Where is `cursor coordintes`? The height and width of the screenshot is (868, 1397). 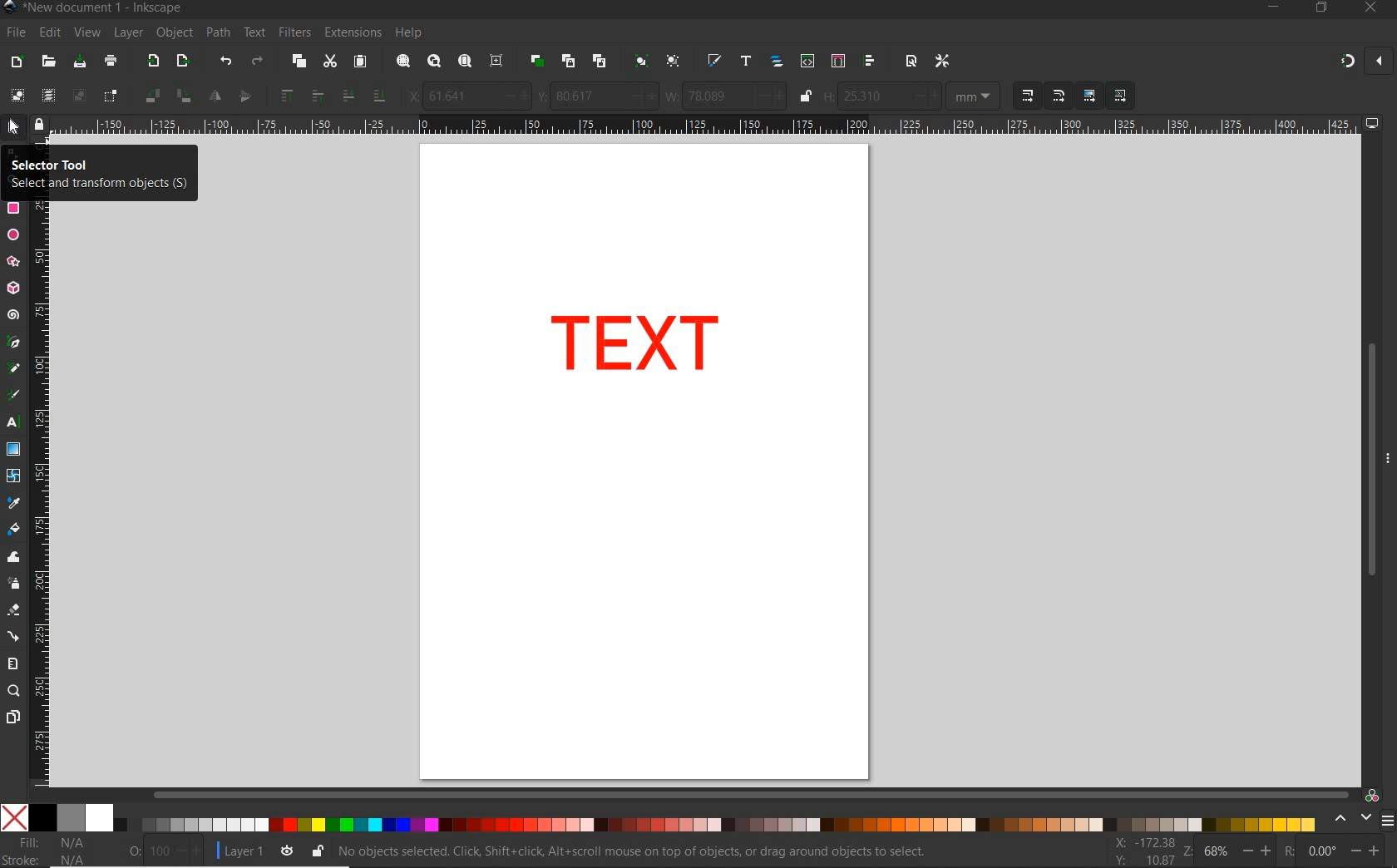 cursor coordintes is located at coordinates (1143, 850).